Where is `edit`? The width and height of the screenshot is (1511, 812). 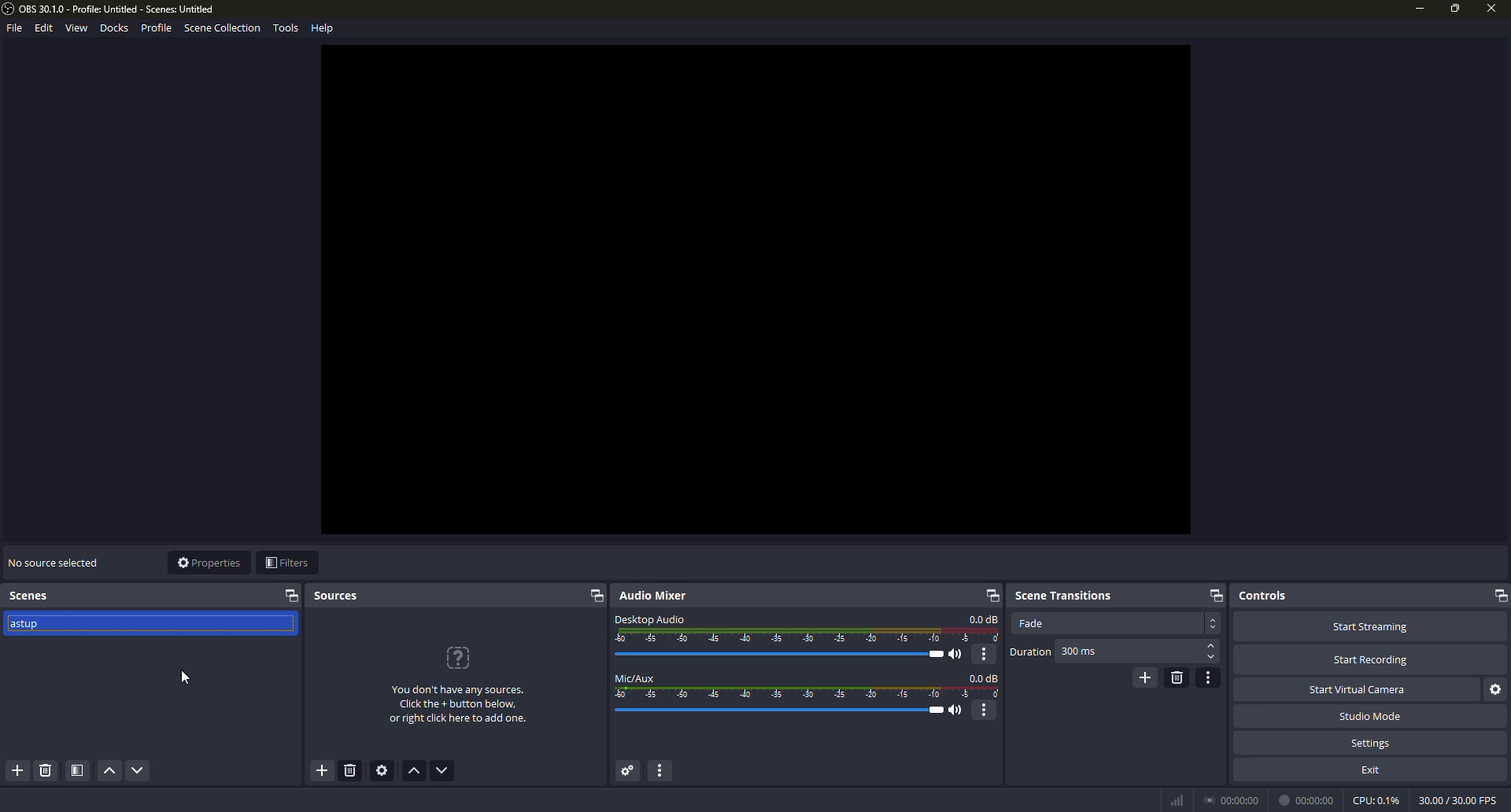
edit is located at coordinates (41, 28).